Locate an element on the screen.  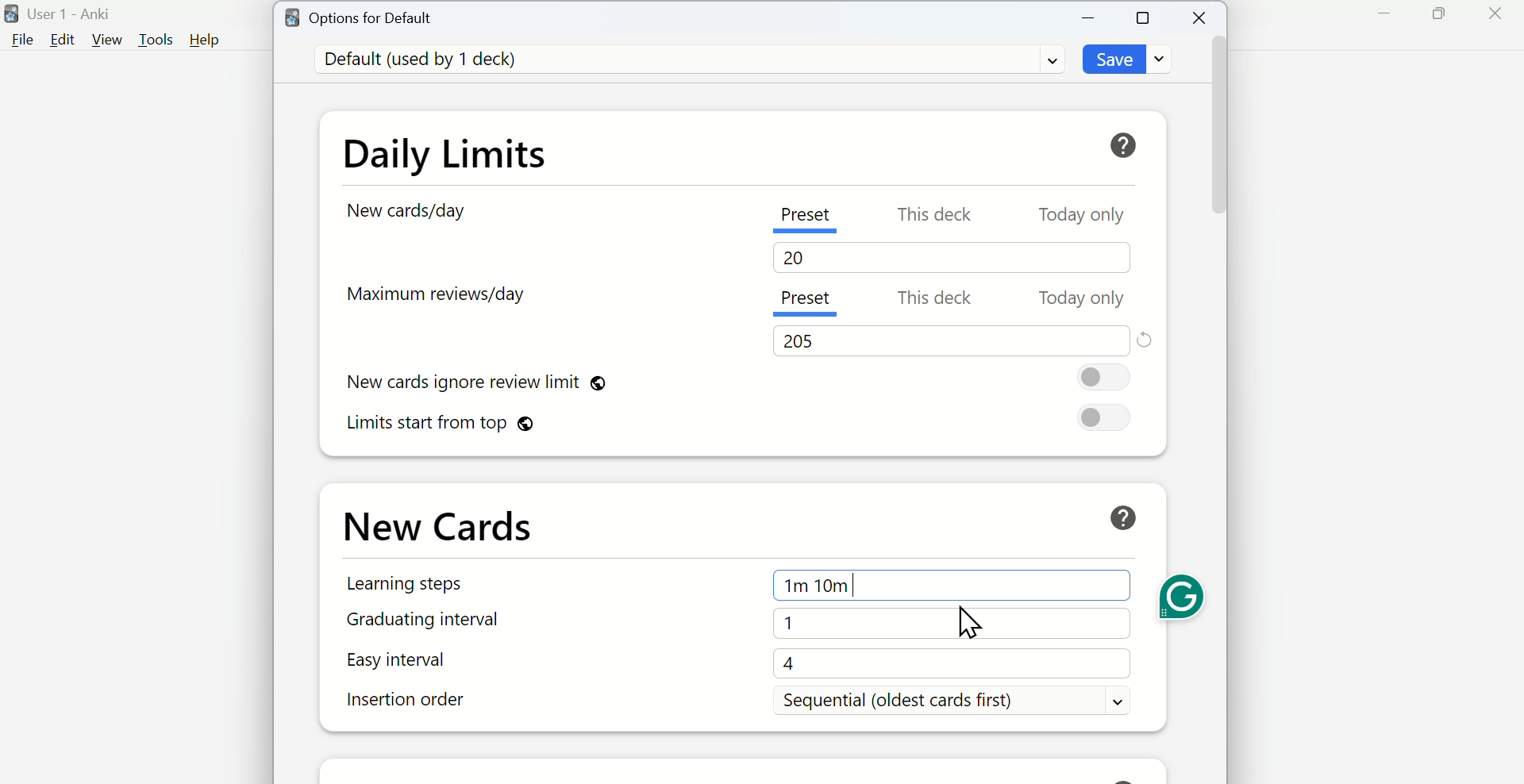
Dropdown is located at coordinates (1165, 58).